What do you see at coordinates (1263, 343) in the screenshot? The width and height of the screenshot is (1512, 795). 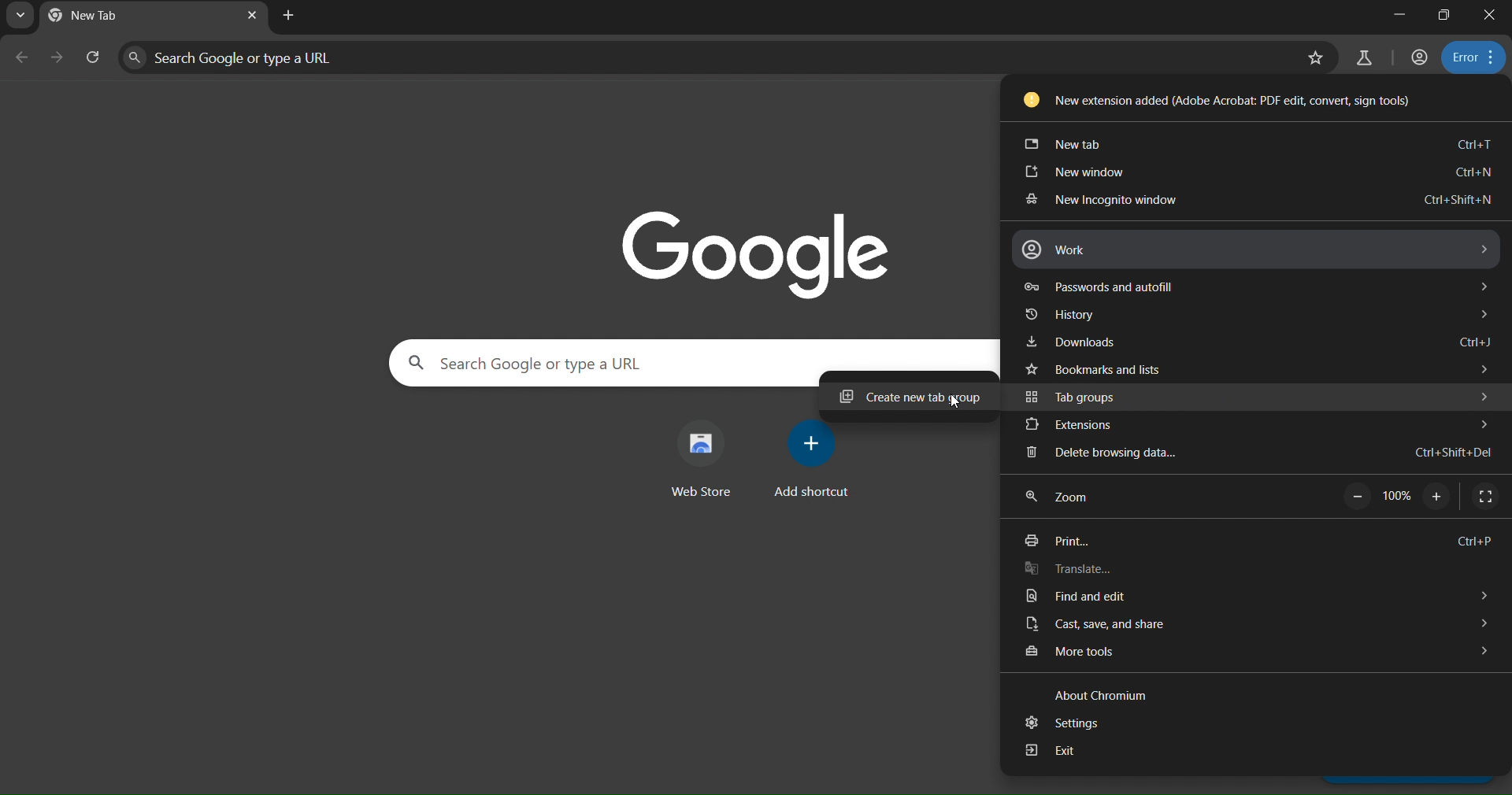 I see `downloads` at bounding box center [1263, 343].